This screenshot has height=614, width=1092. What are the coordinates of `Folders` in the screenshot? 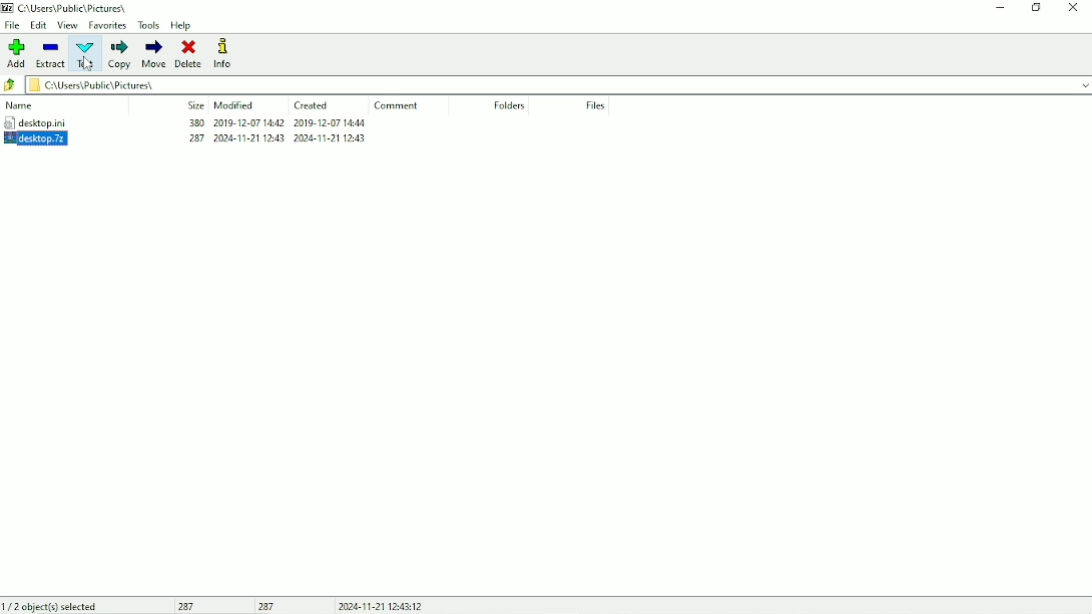 It's located at (509, 107).